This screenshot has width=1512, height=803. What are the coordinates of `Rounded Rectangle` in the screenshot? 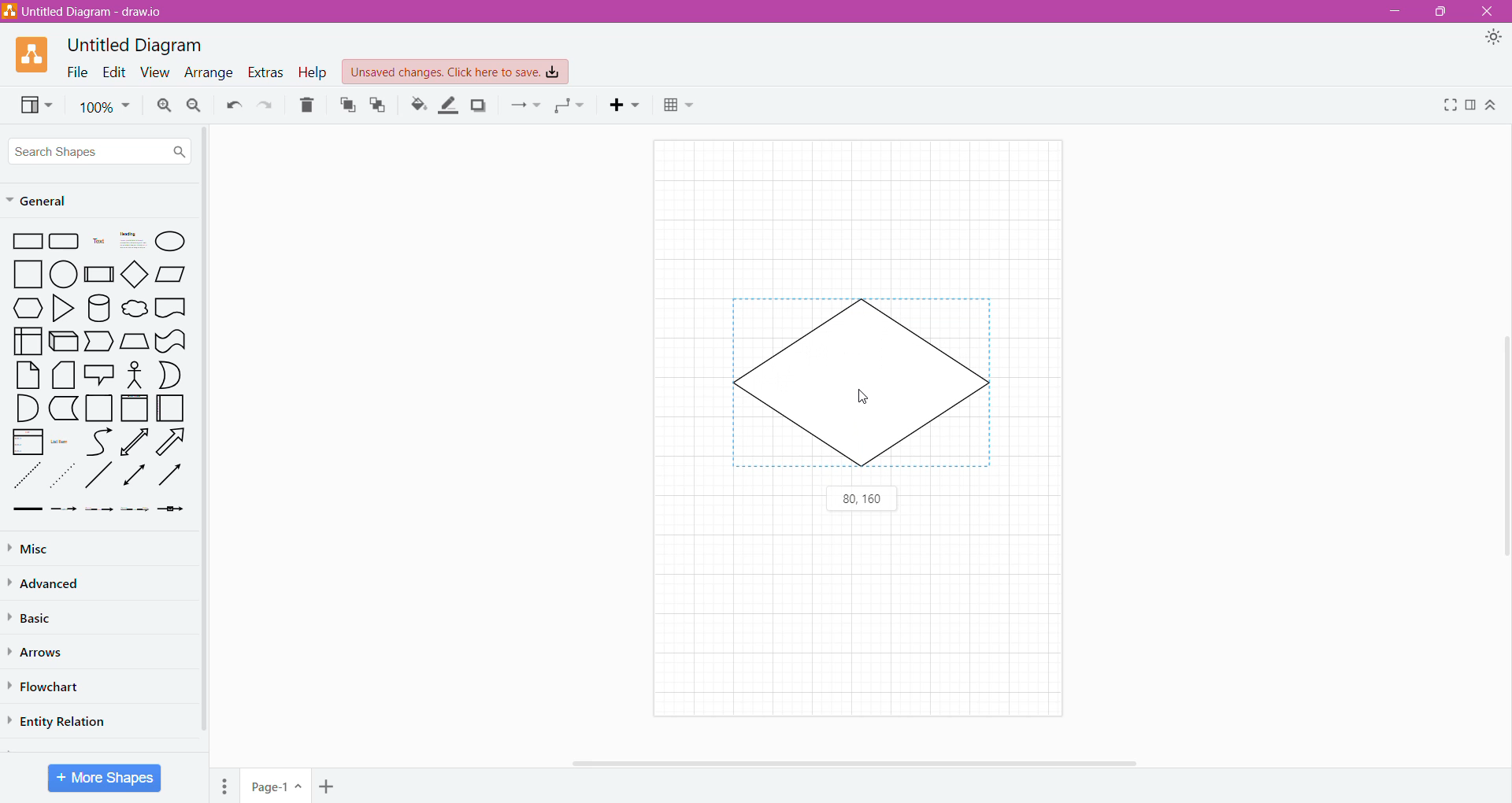 It's located at (65, 242).